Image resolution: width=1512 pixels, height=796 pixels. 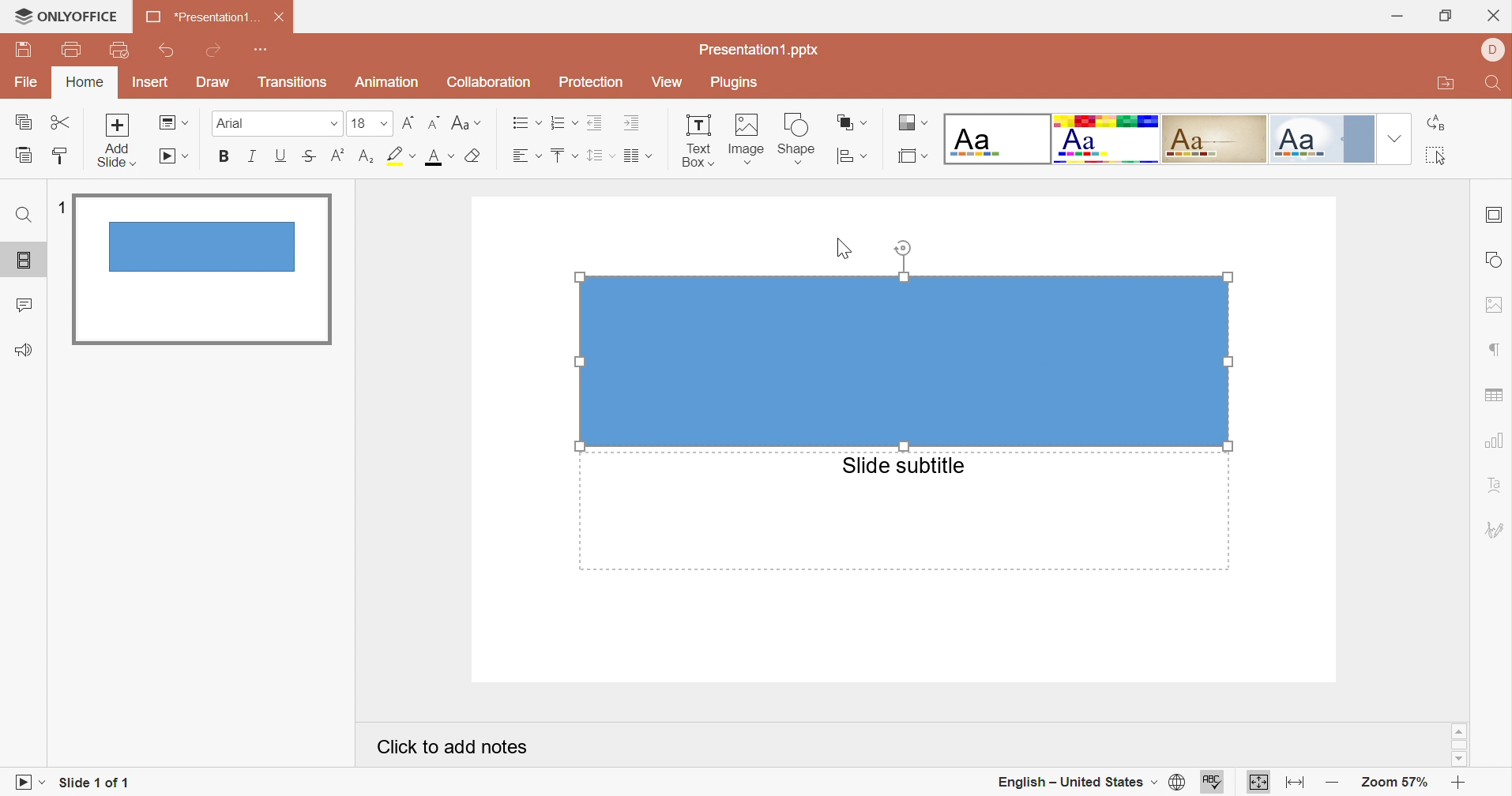 I want to click on Vertical align, so click(x=564, y=156).